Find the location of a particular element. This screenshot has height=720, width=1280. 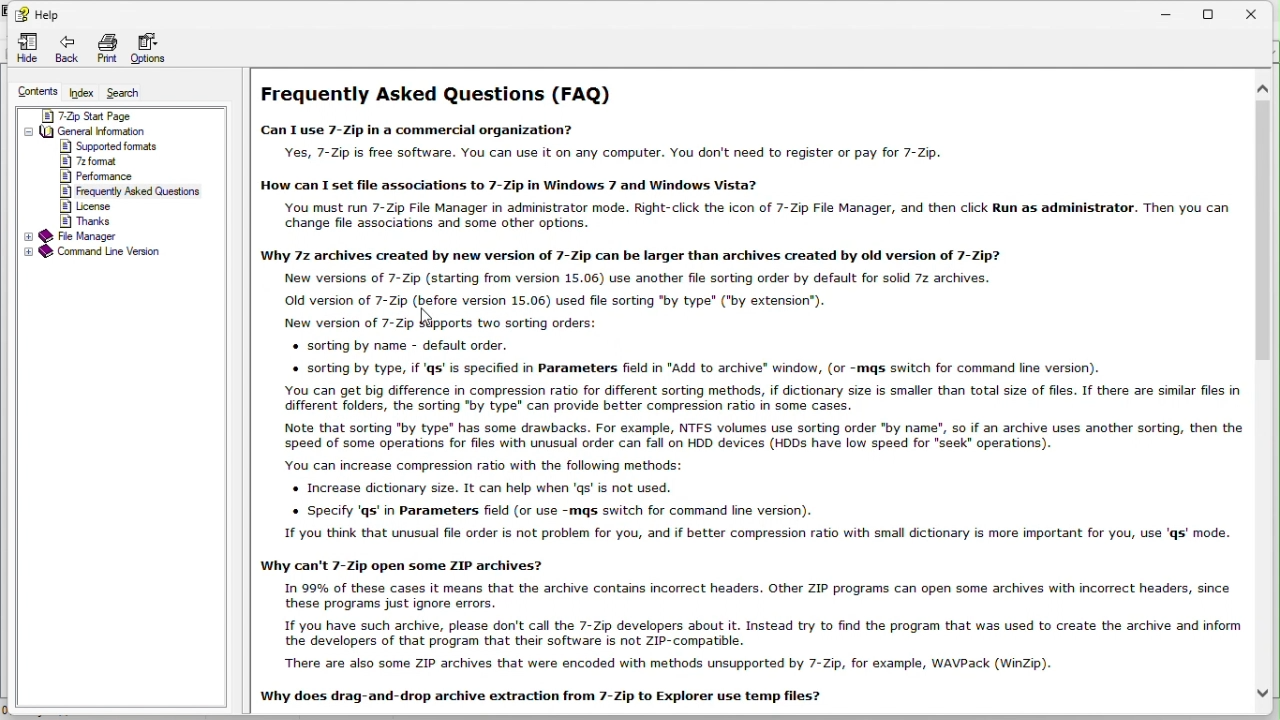

frequently asked questions is located at coordinates (126, 191).